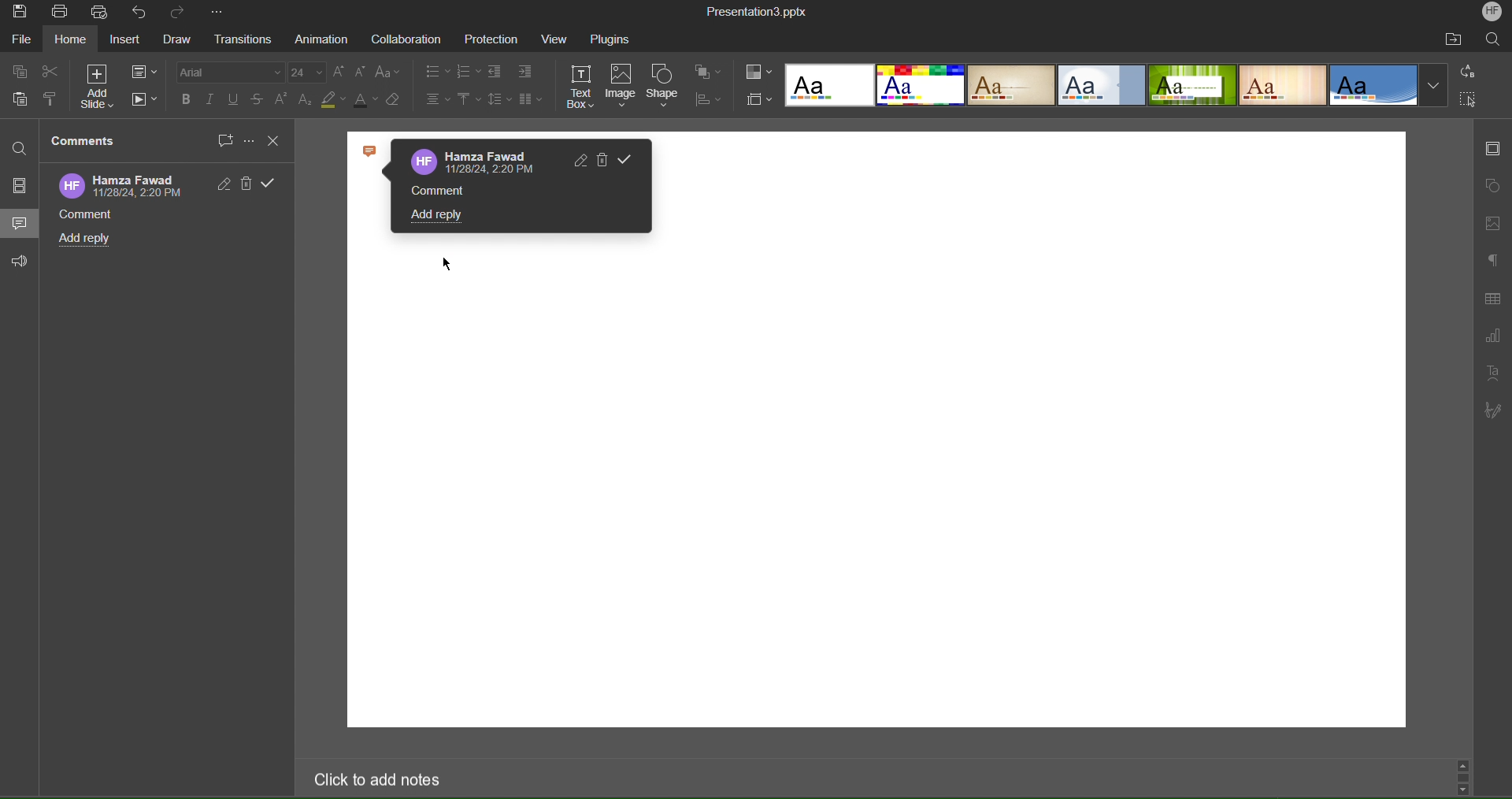  Describe the element at coordinates (223, 140) in the screenshot. I see `New Comment` at that location.